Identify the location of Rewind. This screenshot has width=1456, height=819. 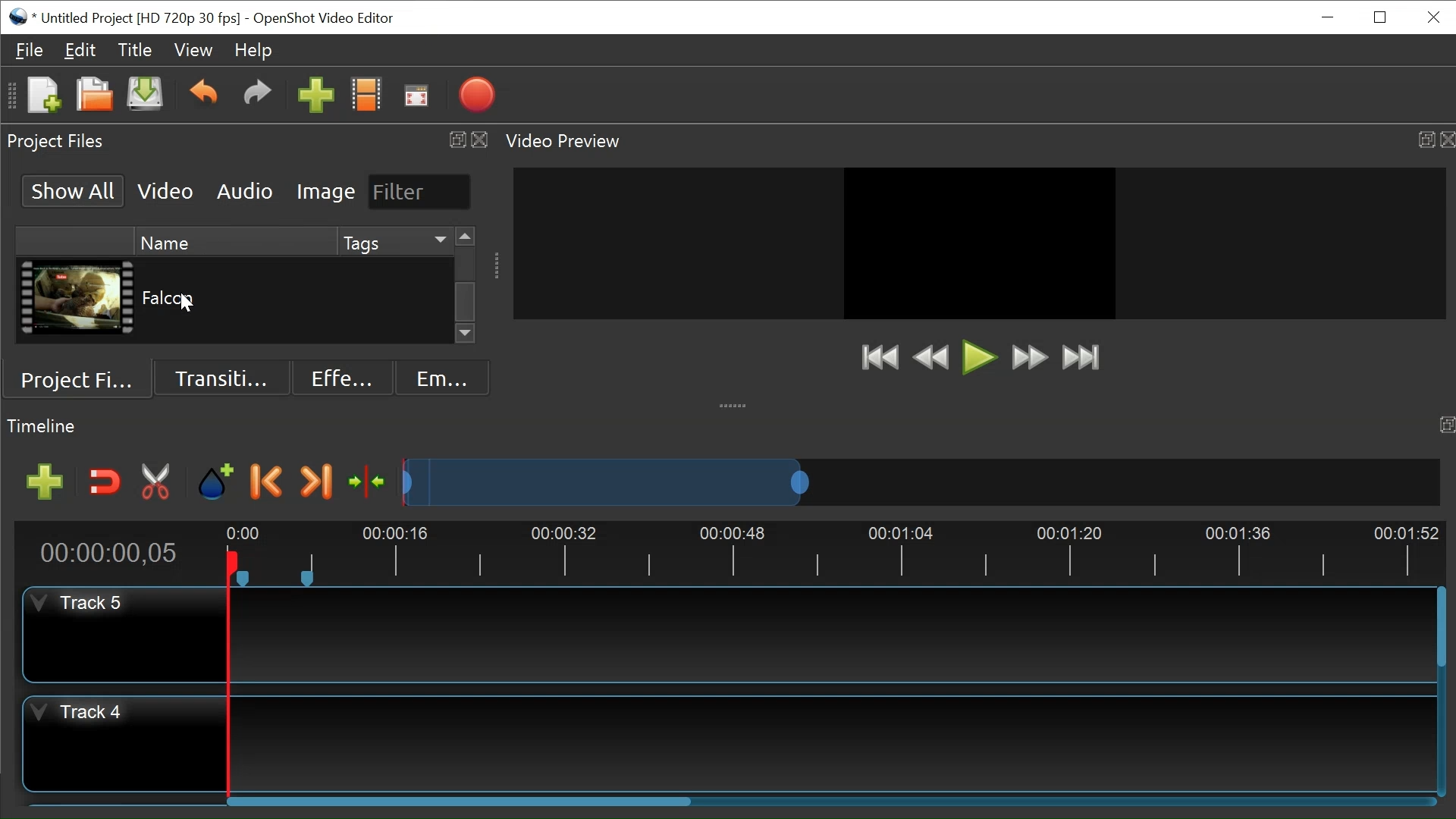
(930, 357).